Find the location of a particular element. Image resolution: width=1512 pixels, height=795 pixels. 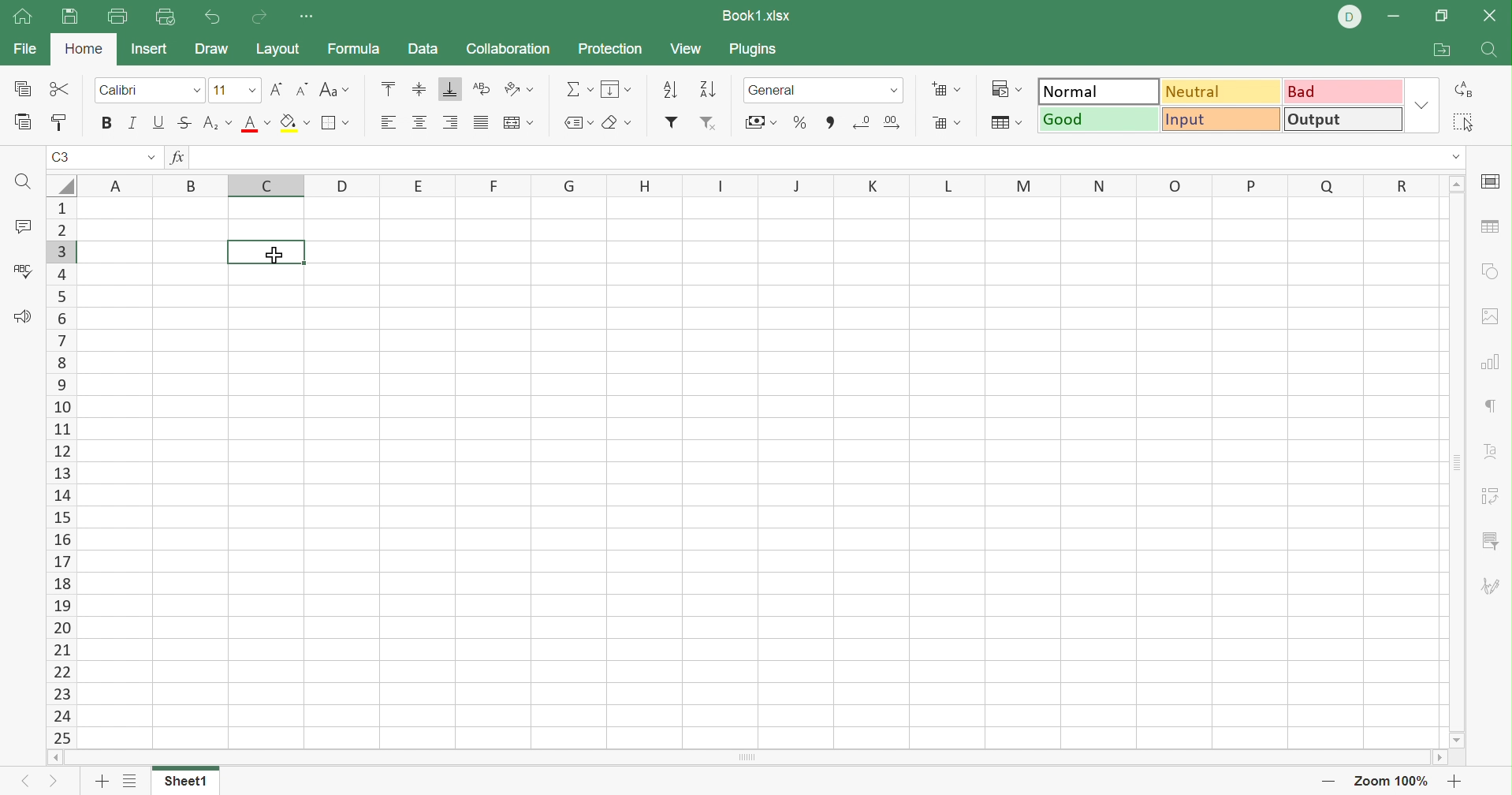

Superscript / subscript is located at coordinates (219, 124).